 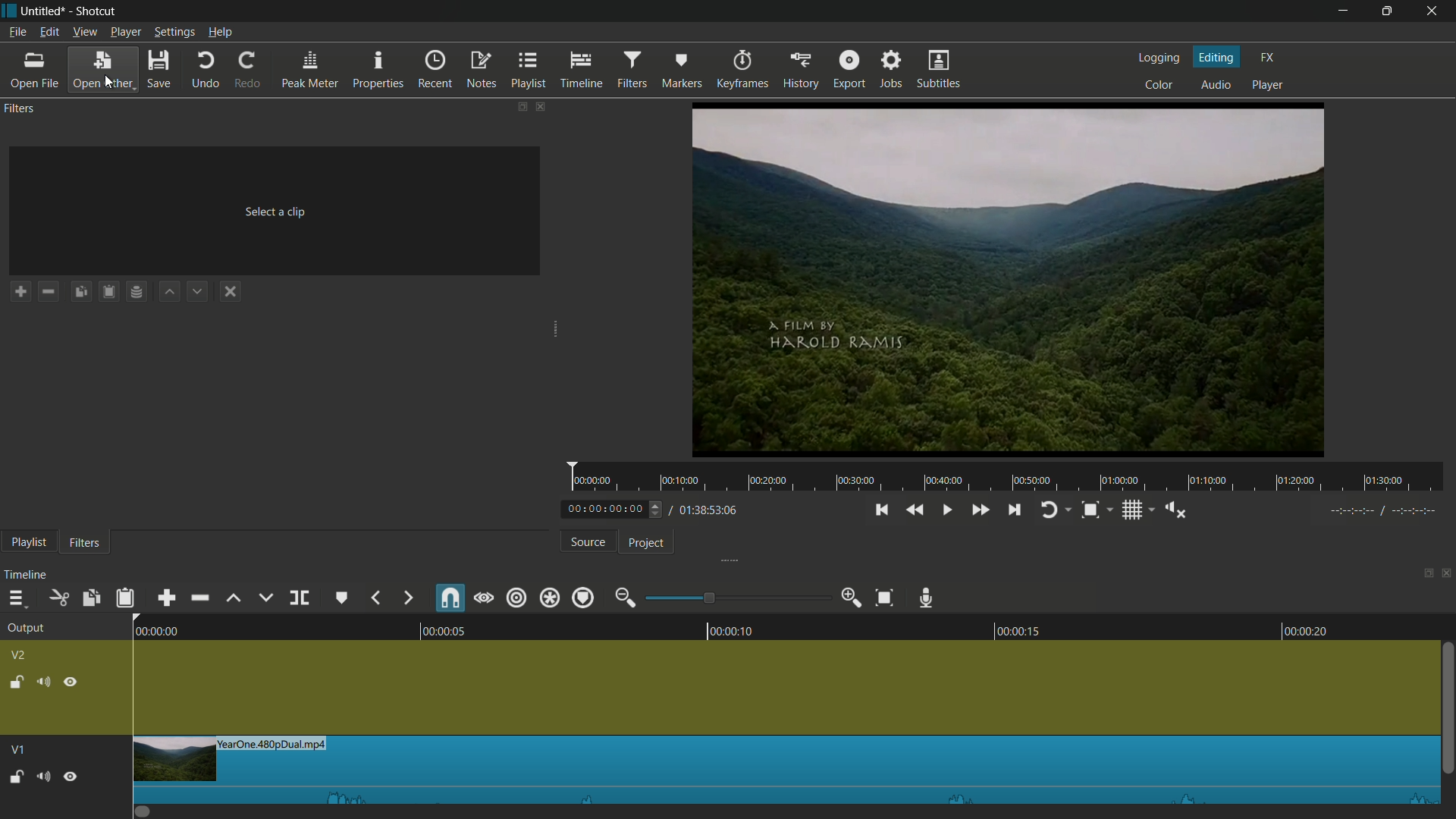 I want to click on show volume control, so click(x=1175, y=508).